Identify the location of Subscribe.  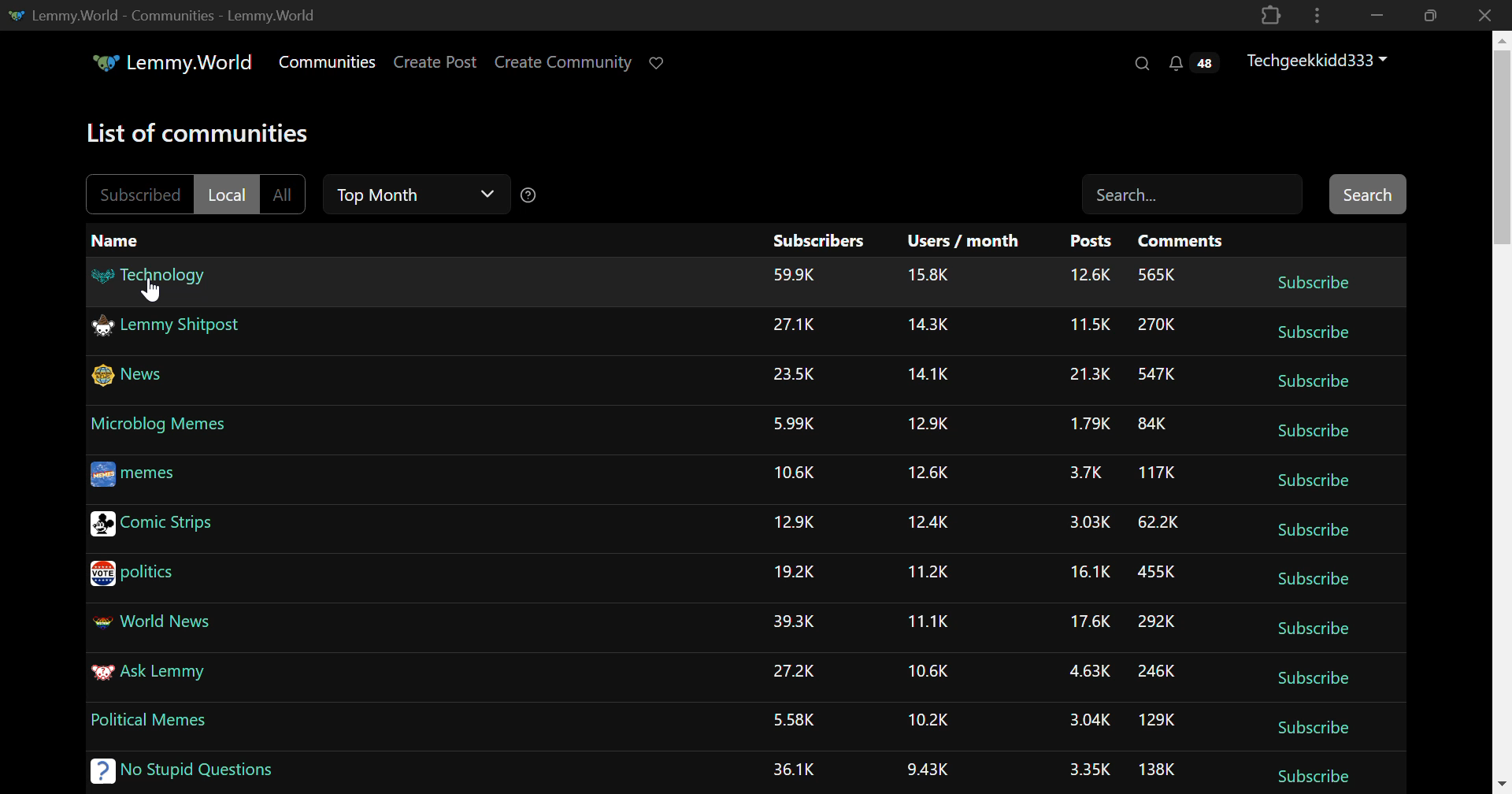
(1310, 434).